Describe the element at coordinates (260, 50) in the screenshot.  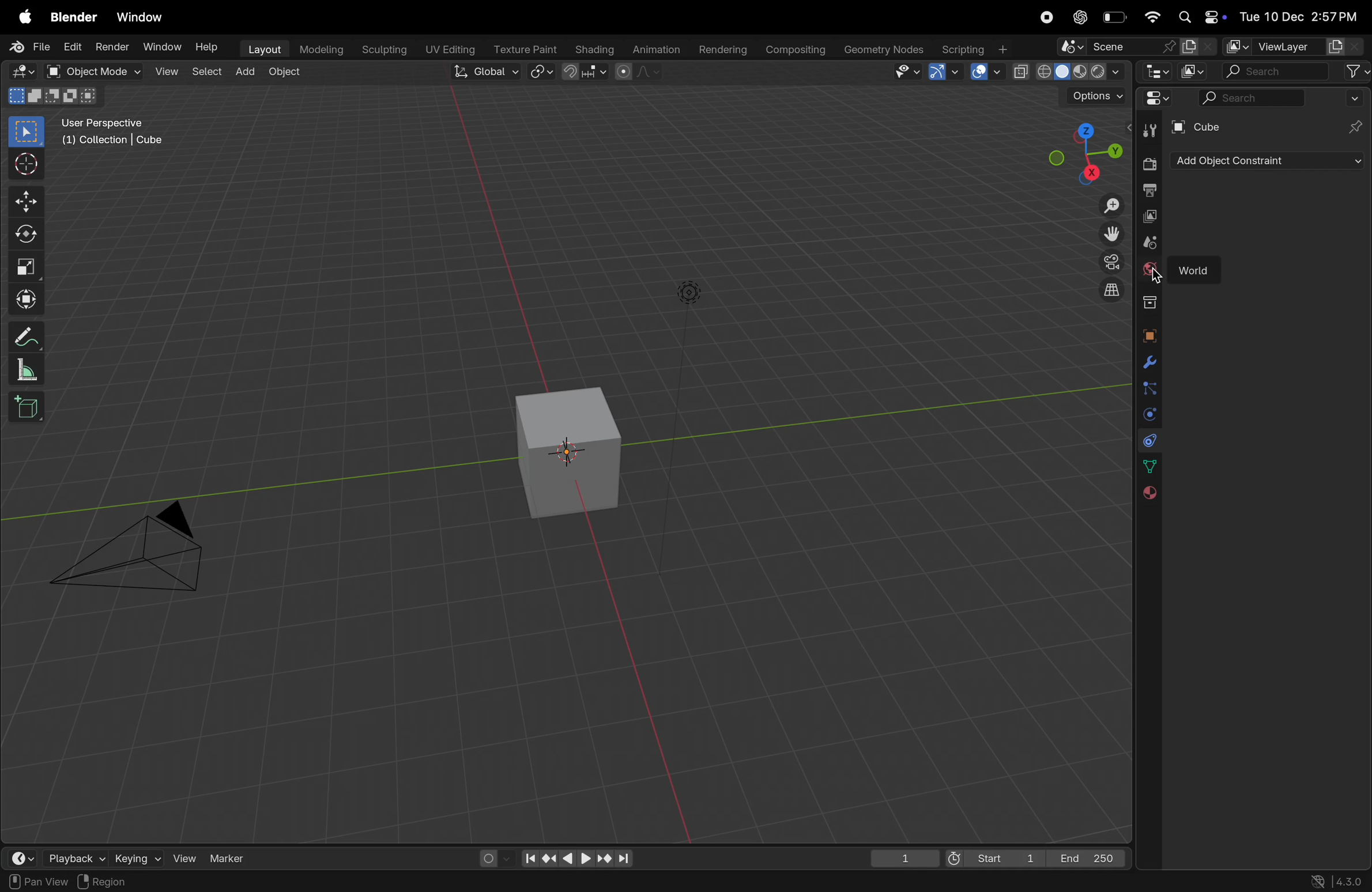
I see `layout` at that location.